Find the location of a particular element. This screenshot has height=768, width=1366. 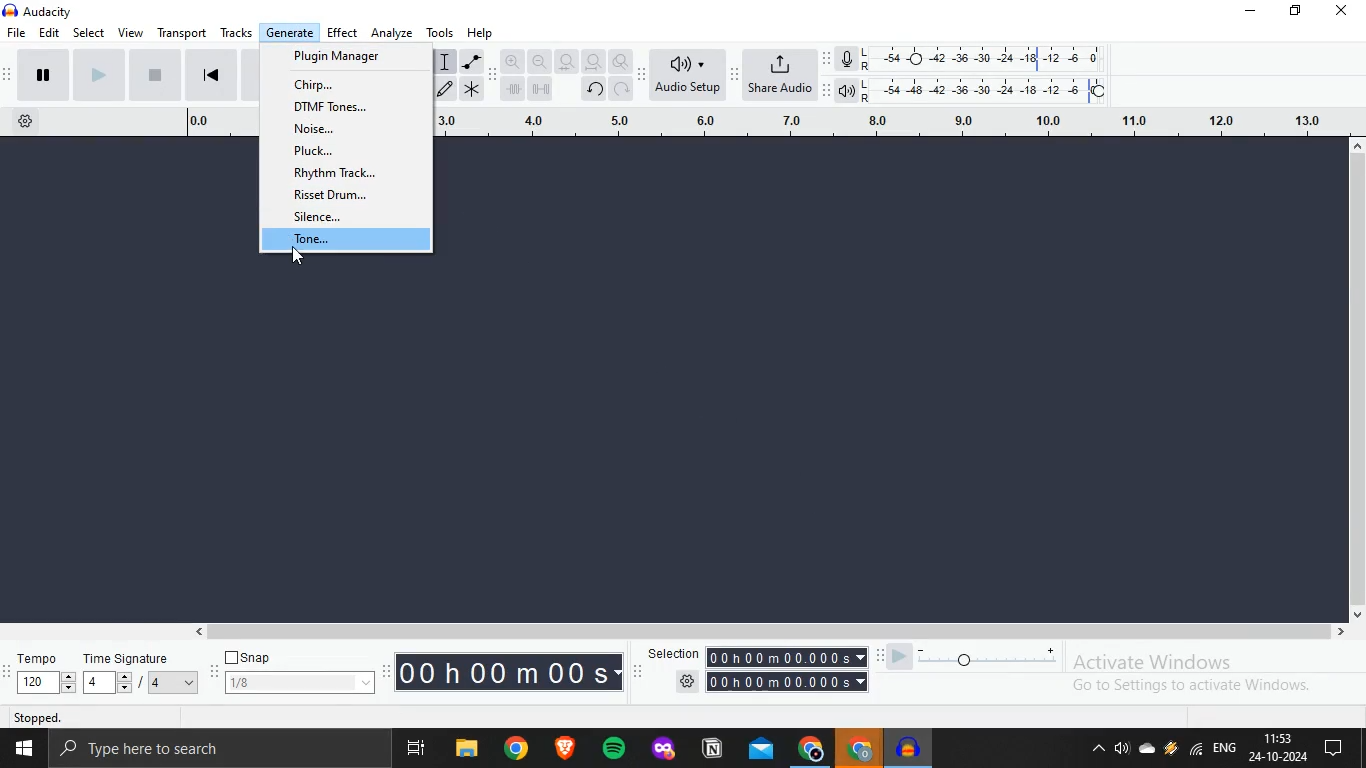

0.0 is located at coordinates (214, 125).